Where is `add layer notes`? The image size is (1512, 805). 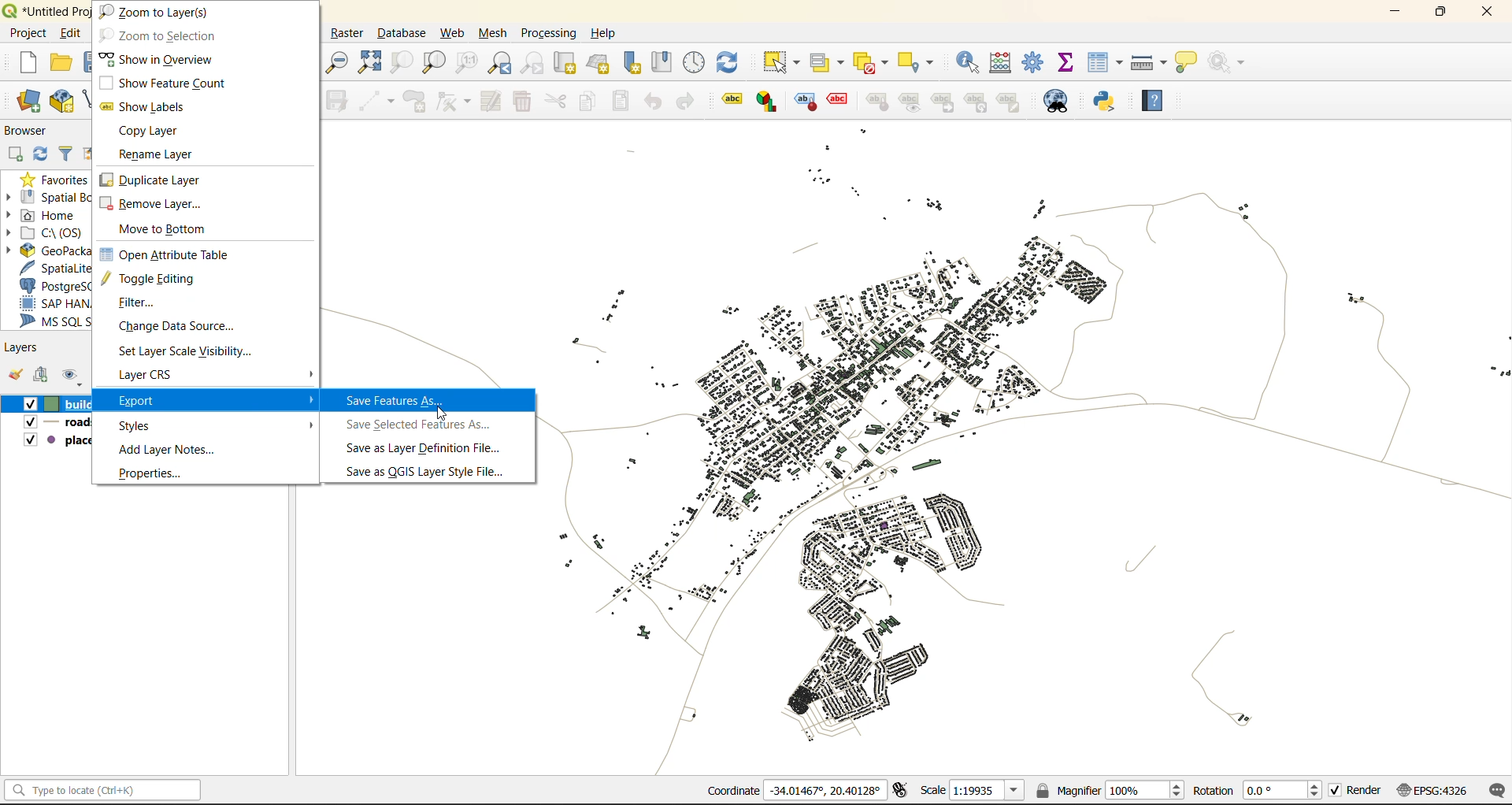 add layer notes is located at coordinates (176, 451).